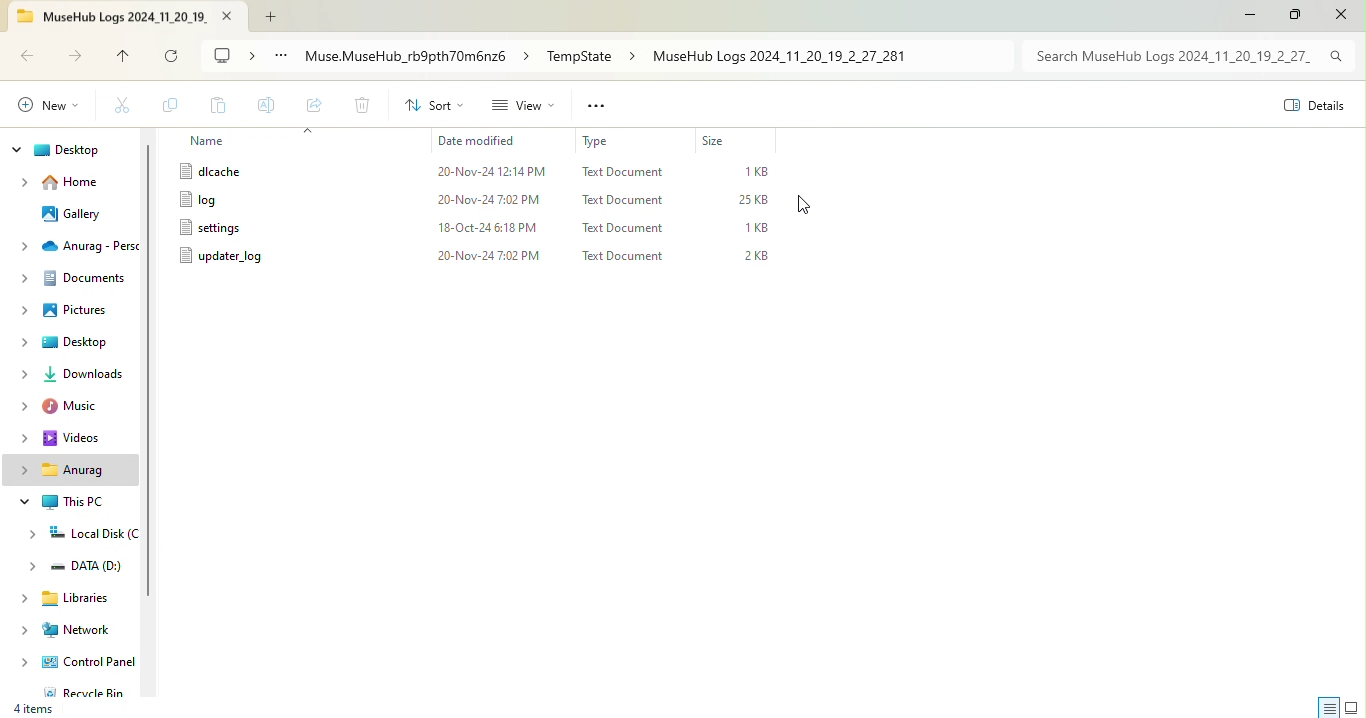  Describe the element at coordinates (416, 57) in the screenshot. I see `File path` at that location.